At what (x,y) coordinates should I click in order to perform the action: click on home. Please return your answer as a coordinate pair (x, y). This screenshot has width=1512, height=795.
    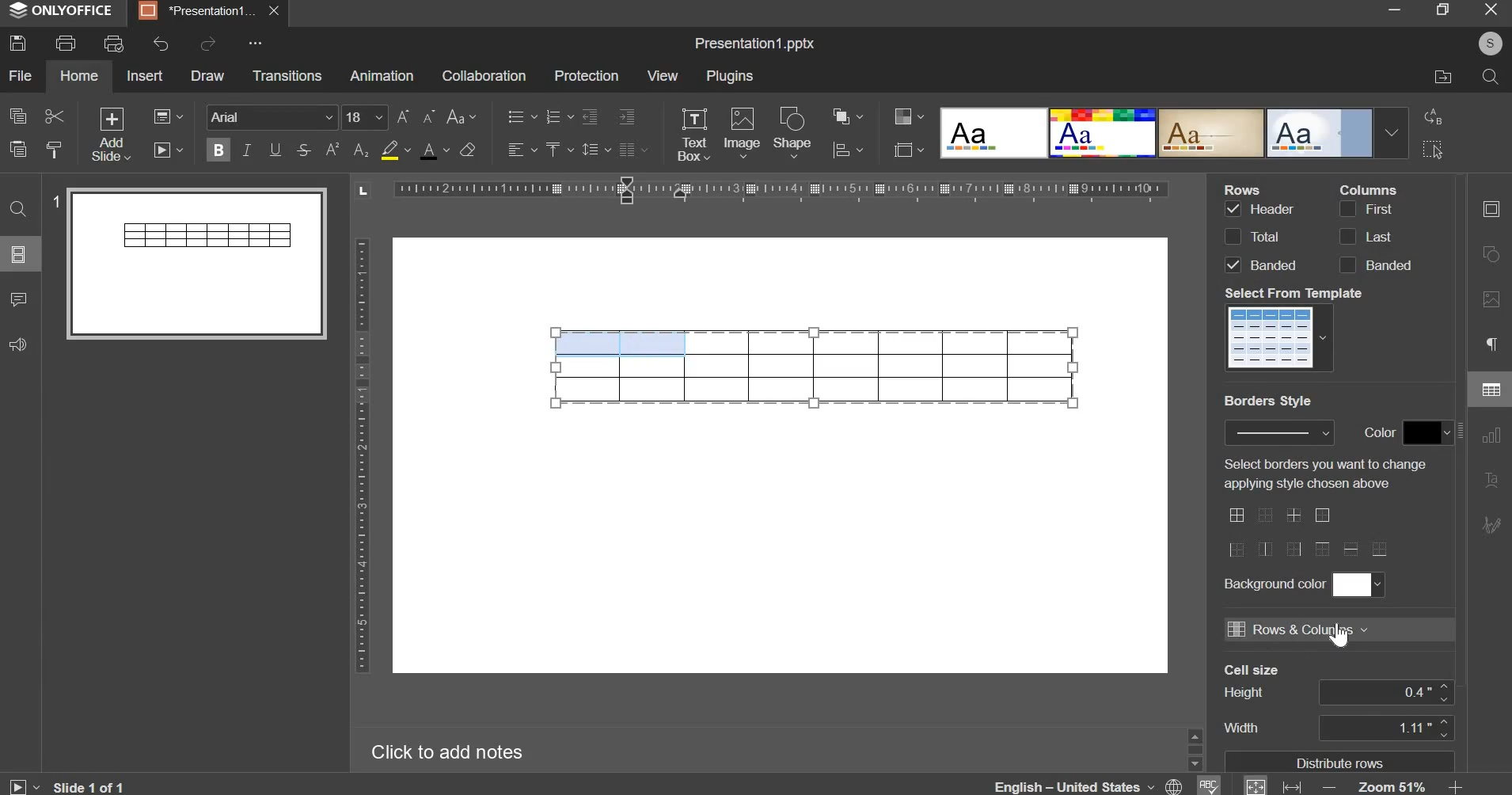
    Looking at the image, I should click on (78, 75).